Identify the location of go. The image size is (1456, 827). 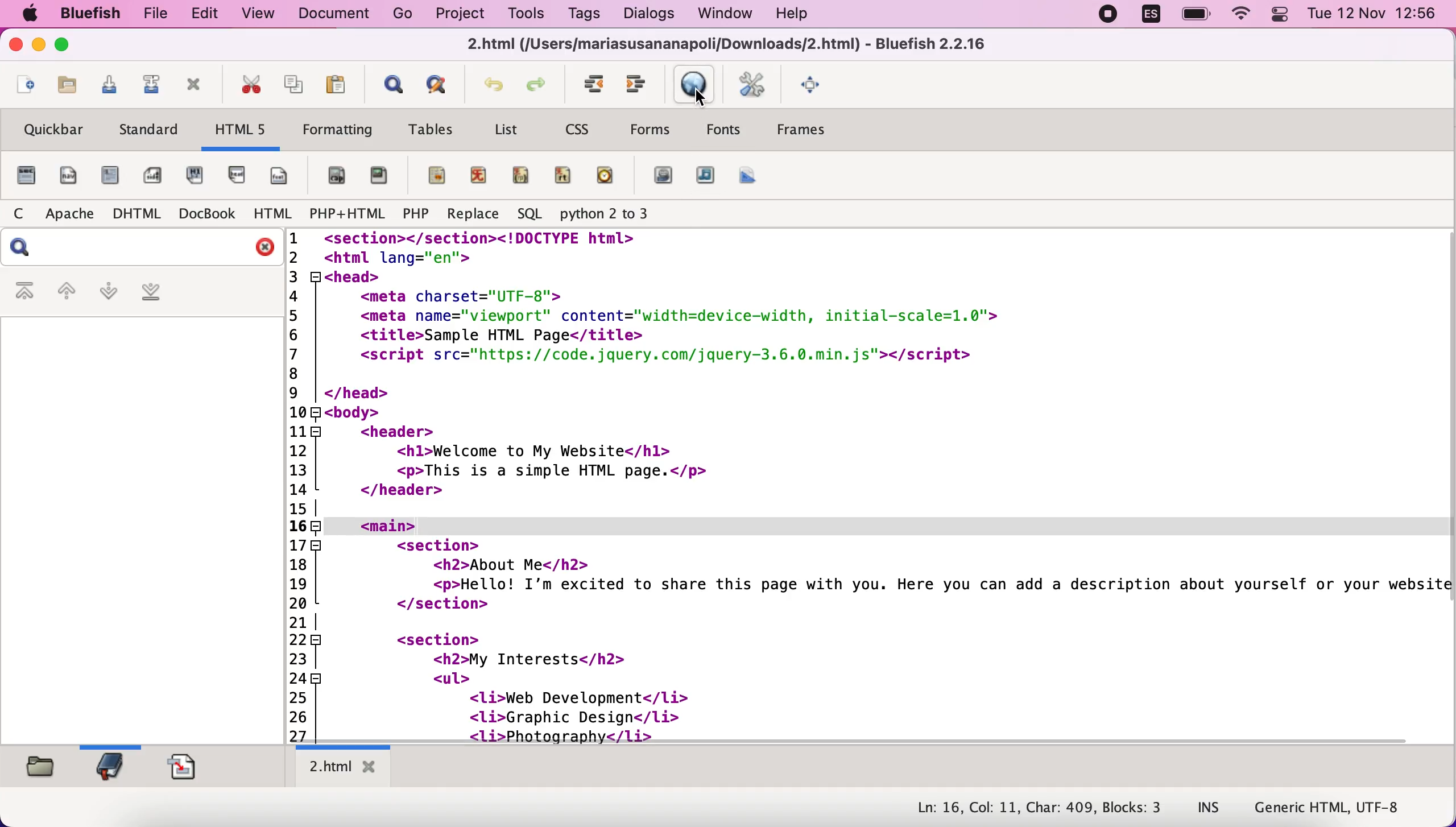
(404, 15).